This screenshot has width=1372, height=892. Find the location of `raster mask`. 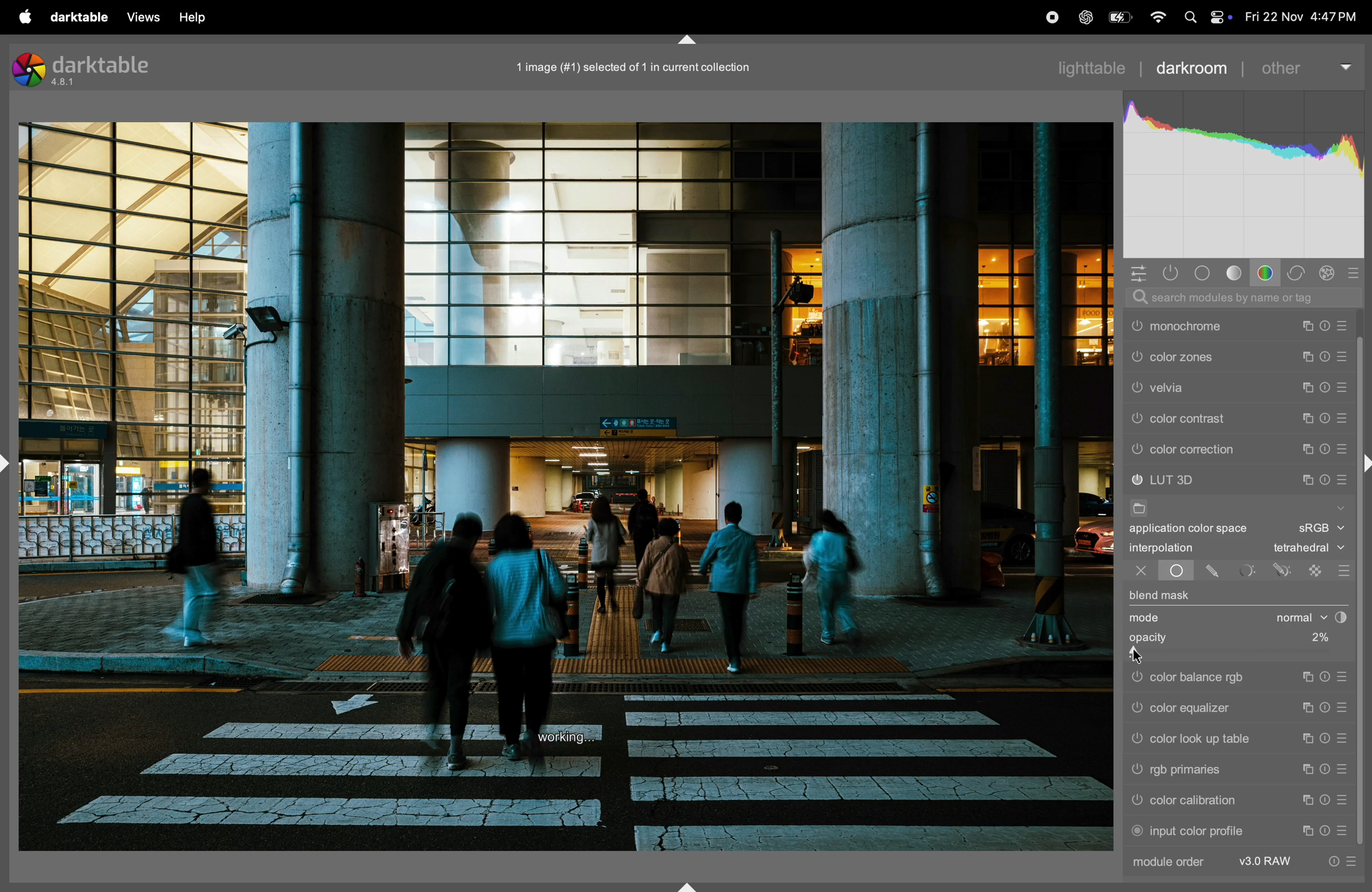

raster mask is located at coordinates (1315, 570).